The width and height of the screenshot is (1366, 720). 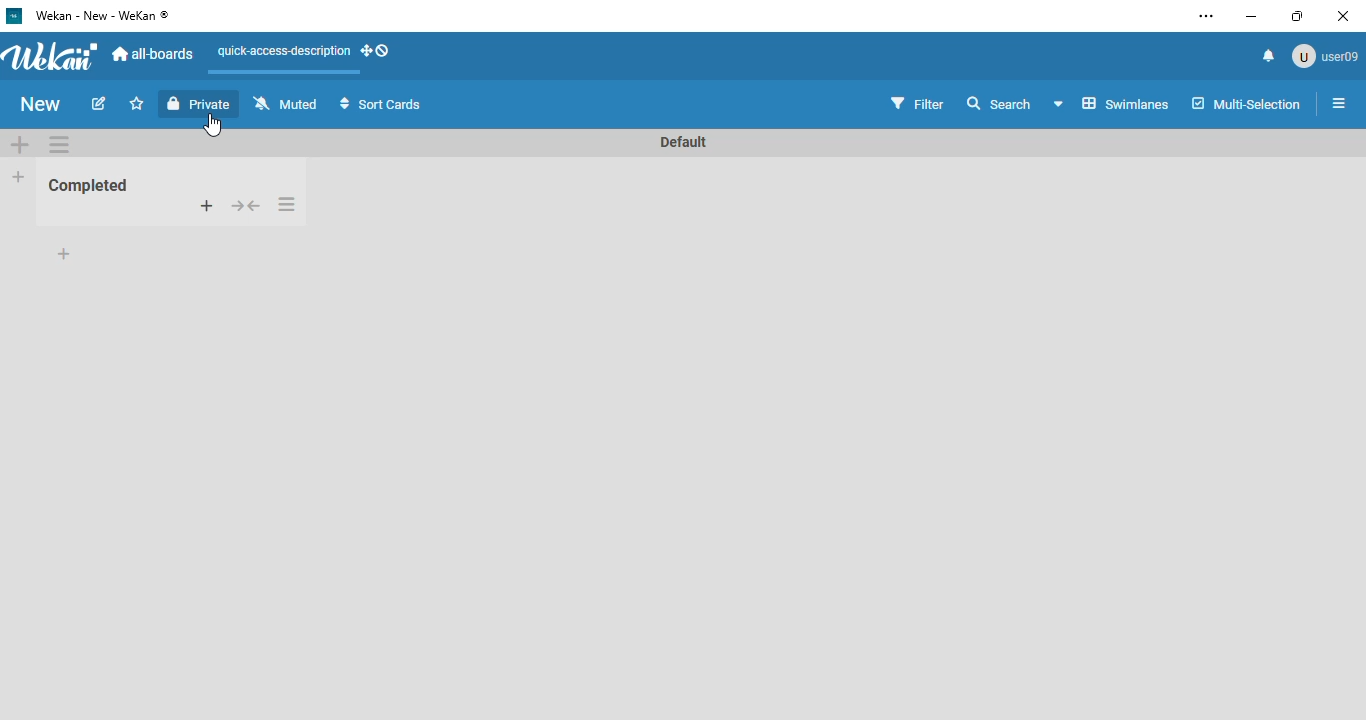 What do you see at coordinates (1343, 17) in the screenshot?
I see `close` at bounding box center [1343, 17].